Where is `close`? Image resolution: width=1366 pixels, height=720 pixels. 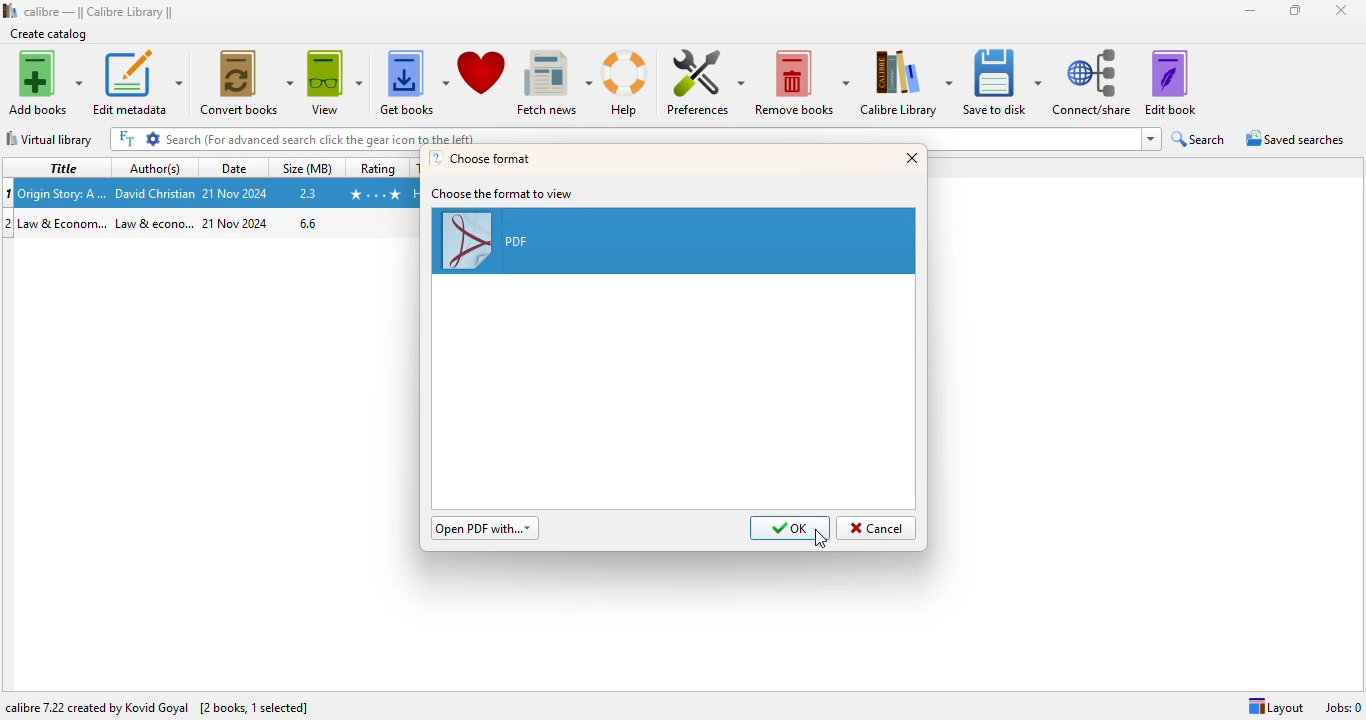 close is located at coordinates (1342, 10).